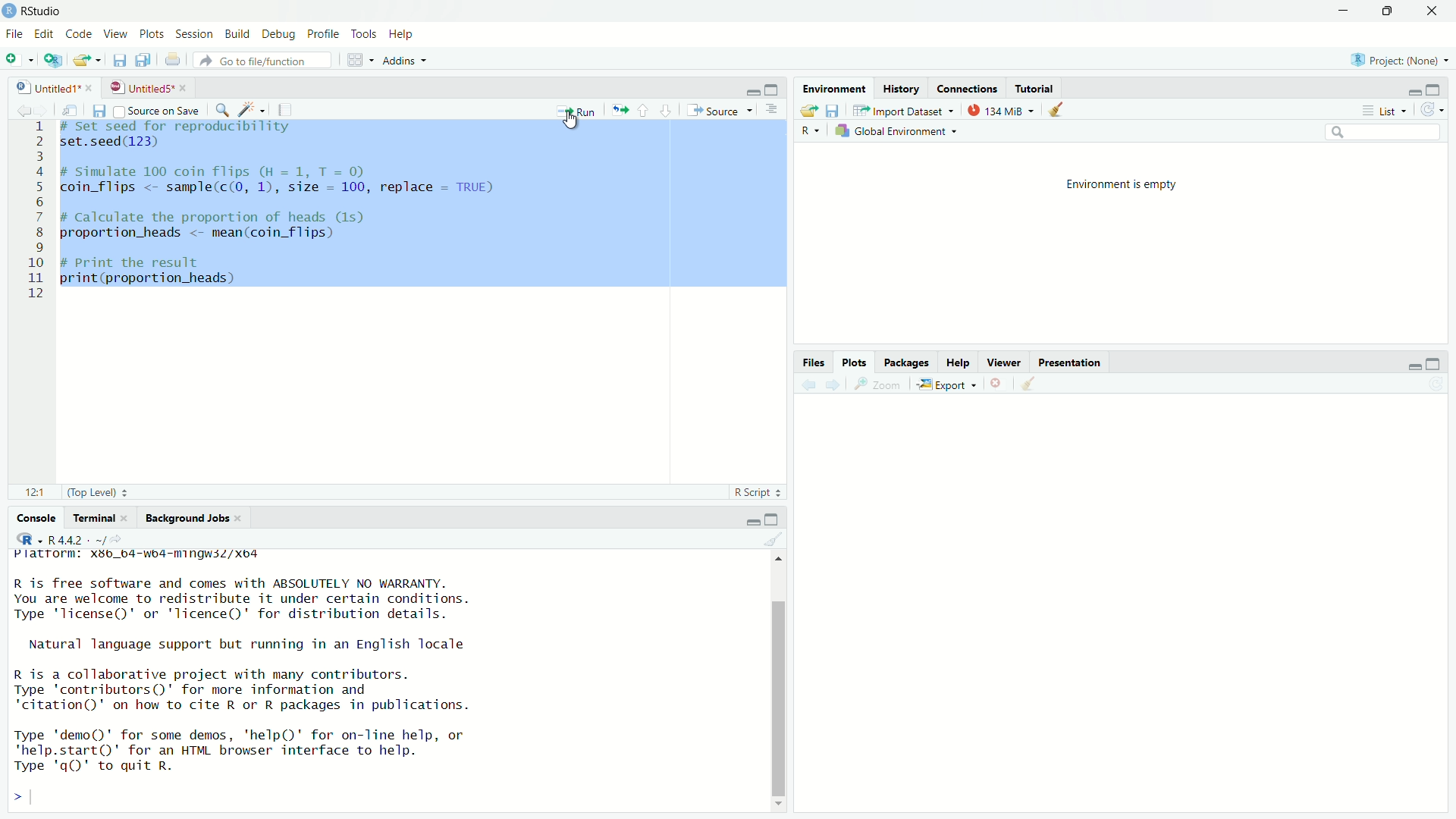 The width and height of the screenshot is (1456, 819). I want to click on save current document, so click(98, 110).